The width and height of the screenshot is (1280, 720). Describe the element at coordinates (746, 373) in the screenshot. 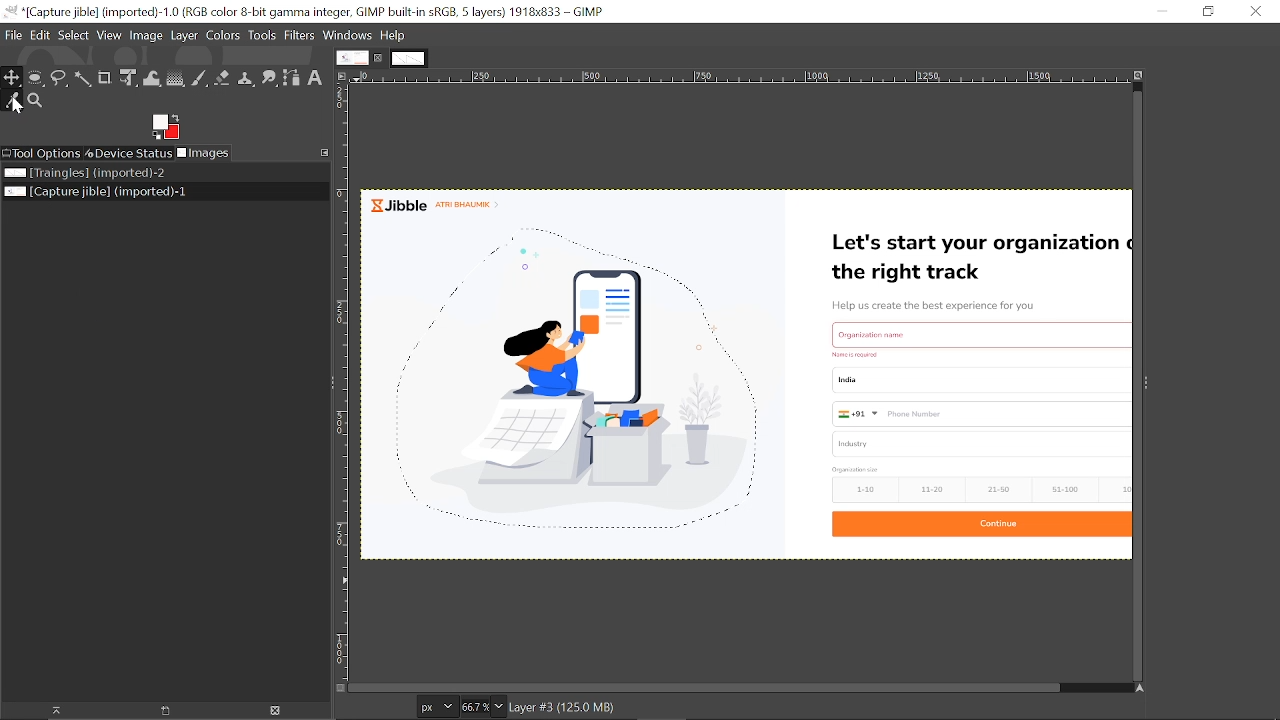

I see `Current image` at that location.